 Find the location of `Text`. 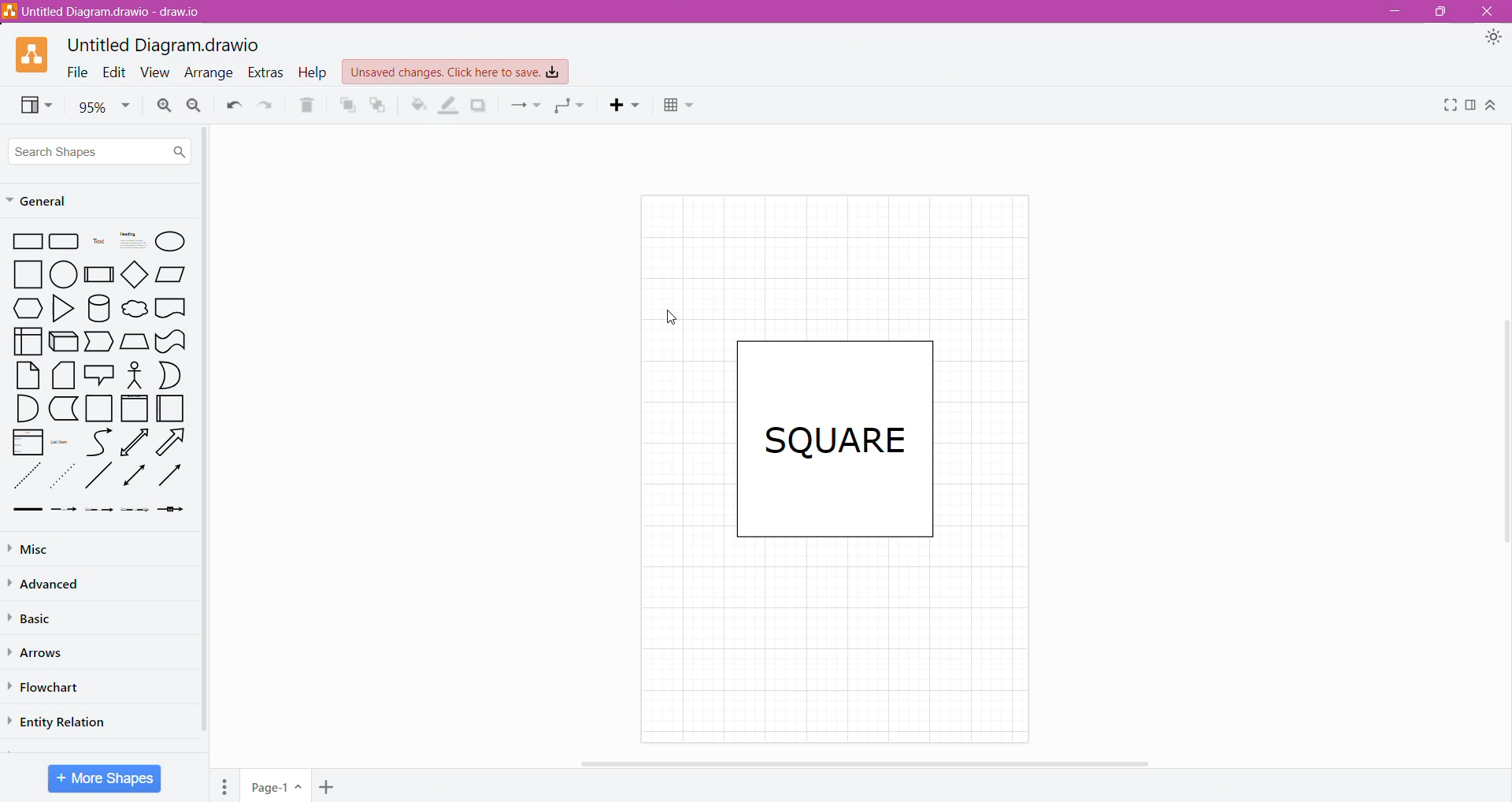

Text is located at coordinates (98, 243).